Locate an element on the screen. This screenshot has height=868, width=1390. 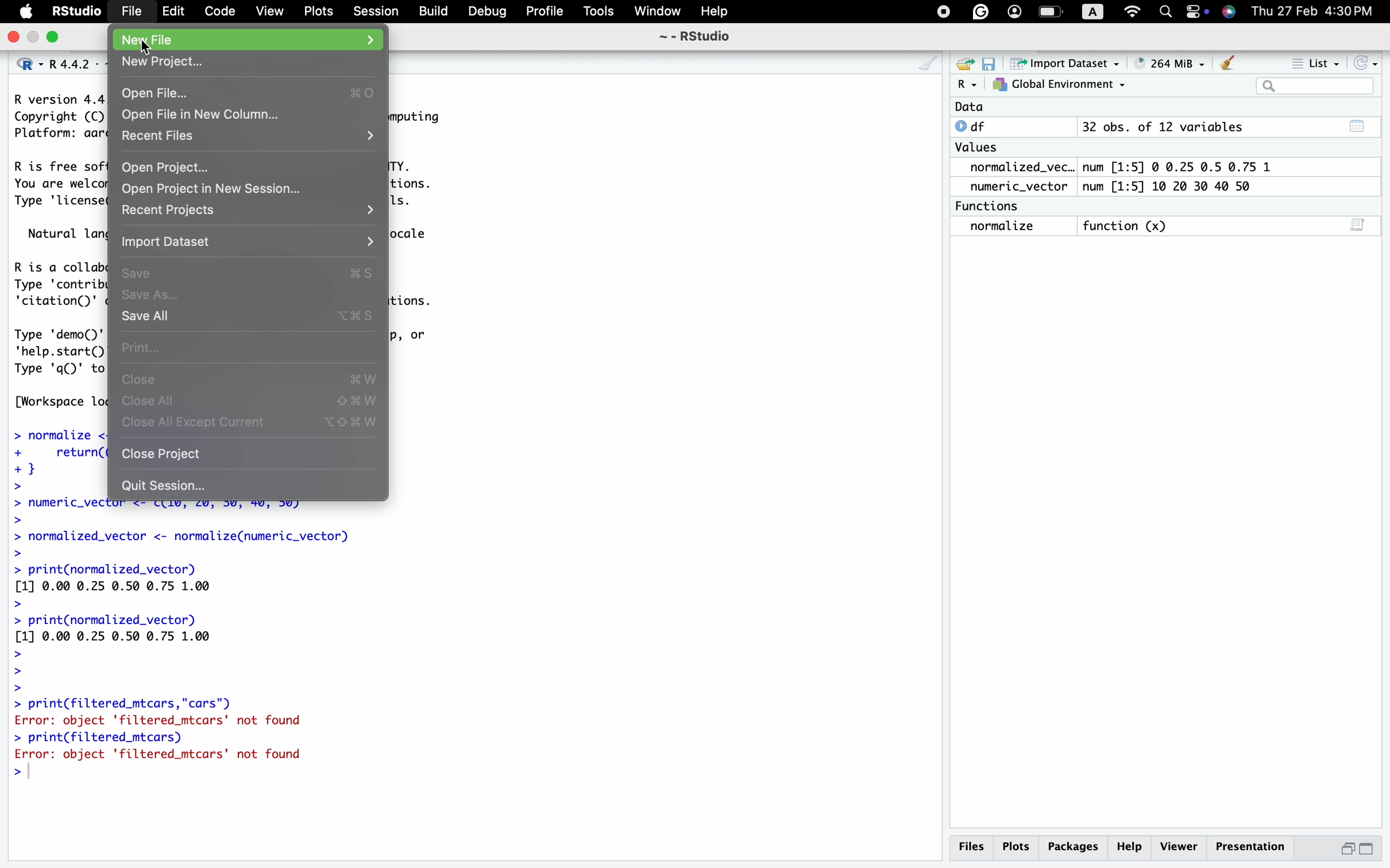
df is located at coordinates (979, 126).